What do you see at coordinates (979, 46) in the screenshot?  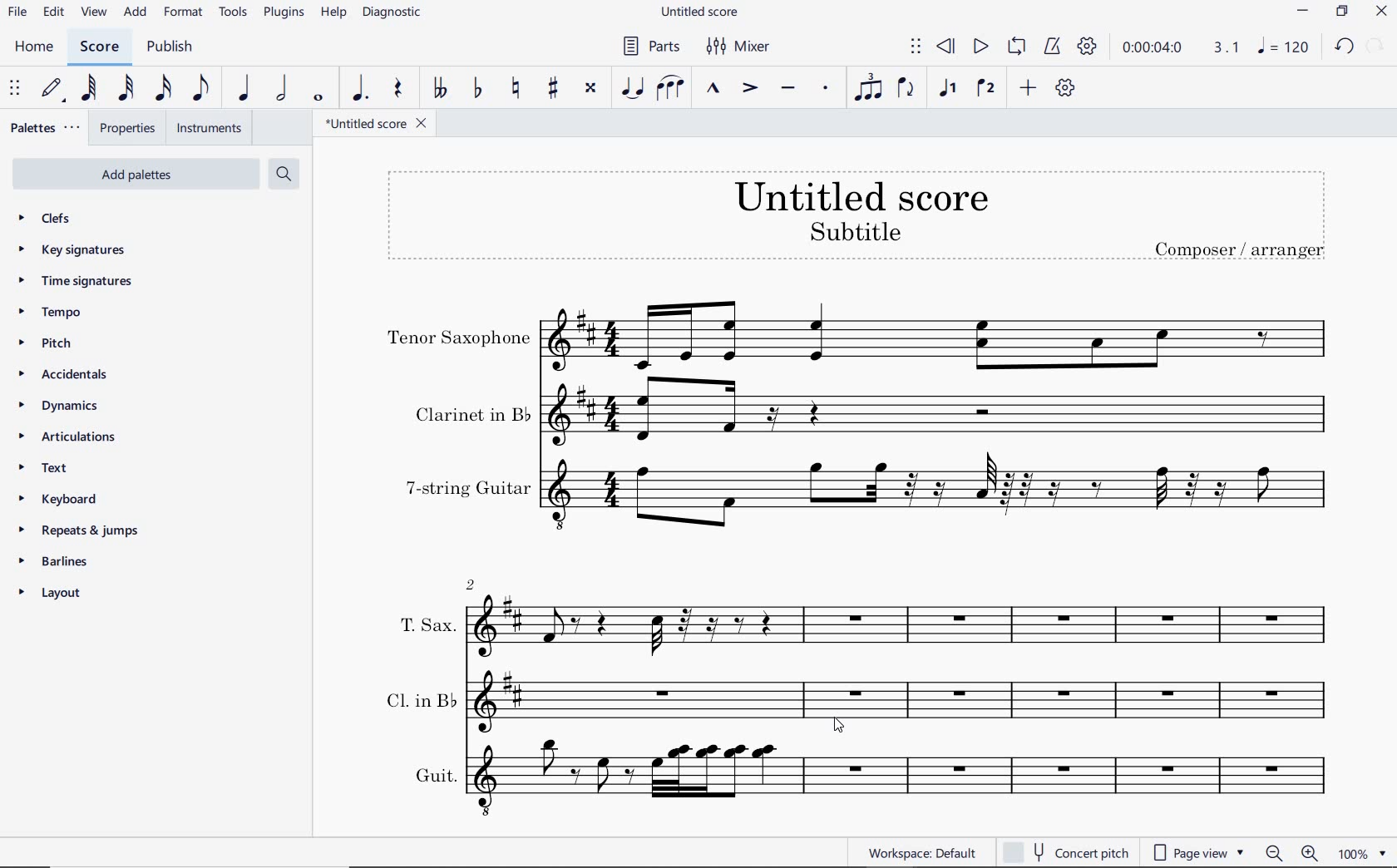 I see `PLAY` at bounding box center [979, 46].